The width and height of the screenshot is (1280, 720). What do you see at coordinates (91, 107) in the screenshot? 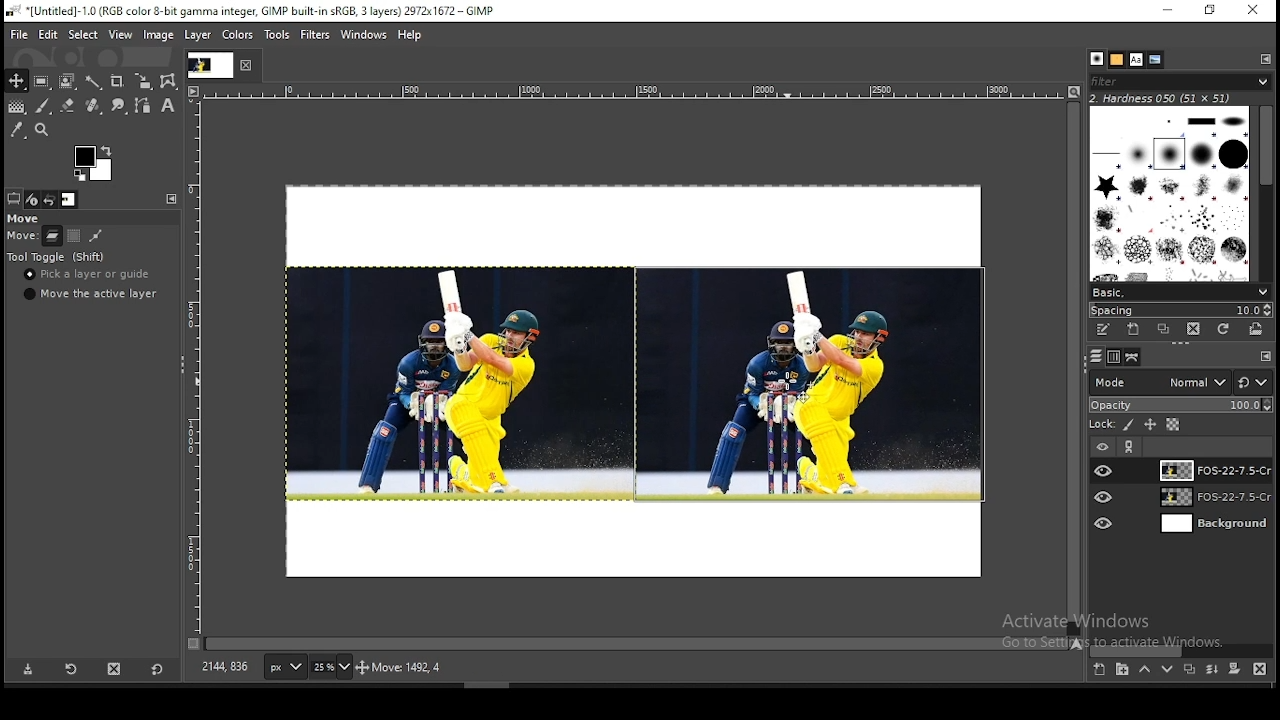
I see `heal tool` at bounding box center [91, 107].